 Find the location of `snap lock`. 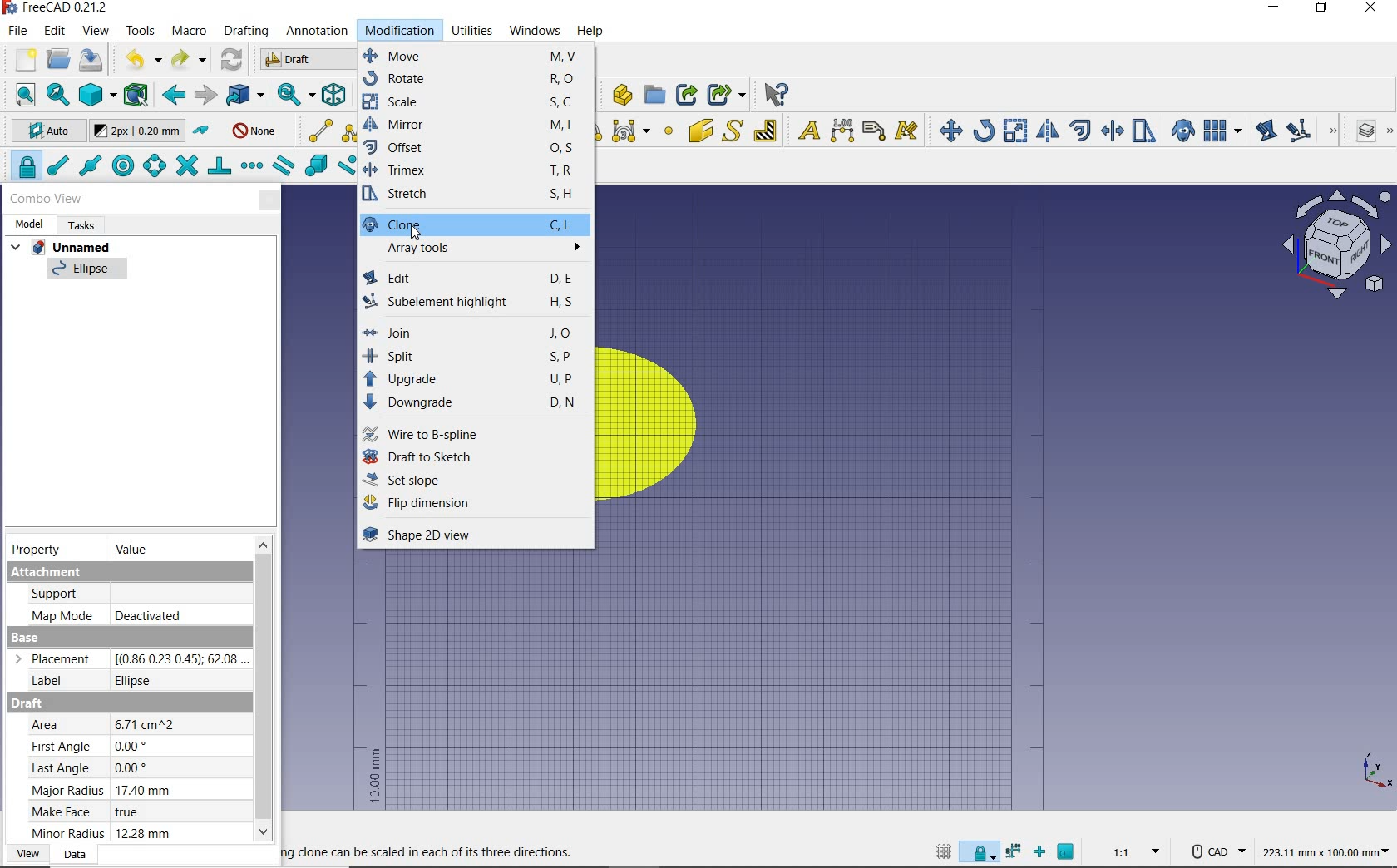

snap lock is located at coordinates (979, 855).